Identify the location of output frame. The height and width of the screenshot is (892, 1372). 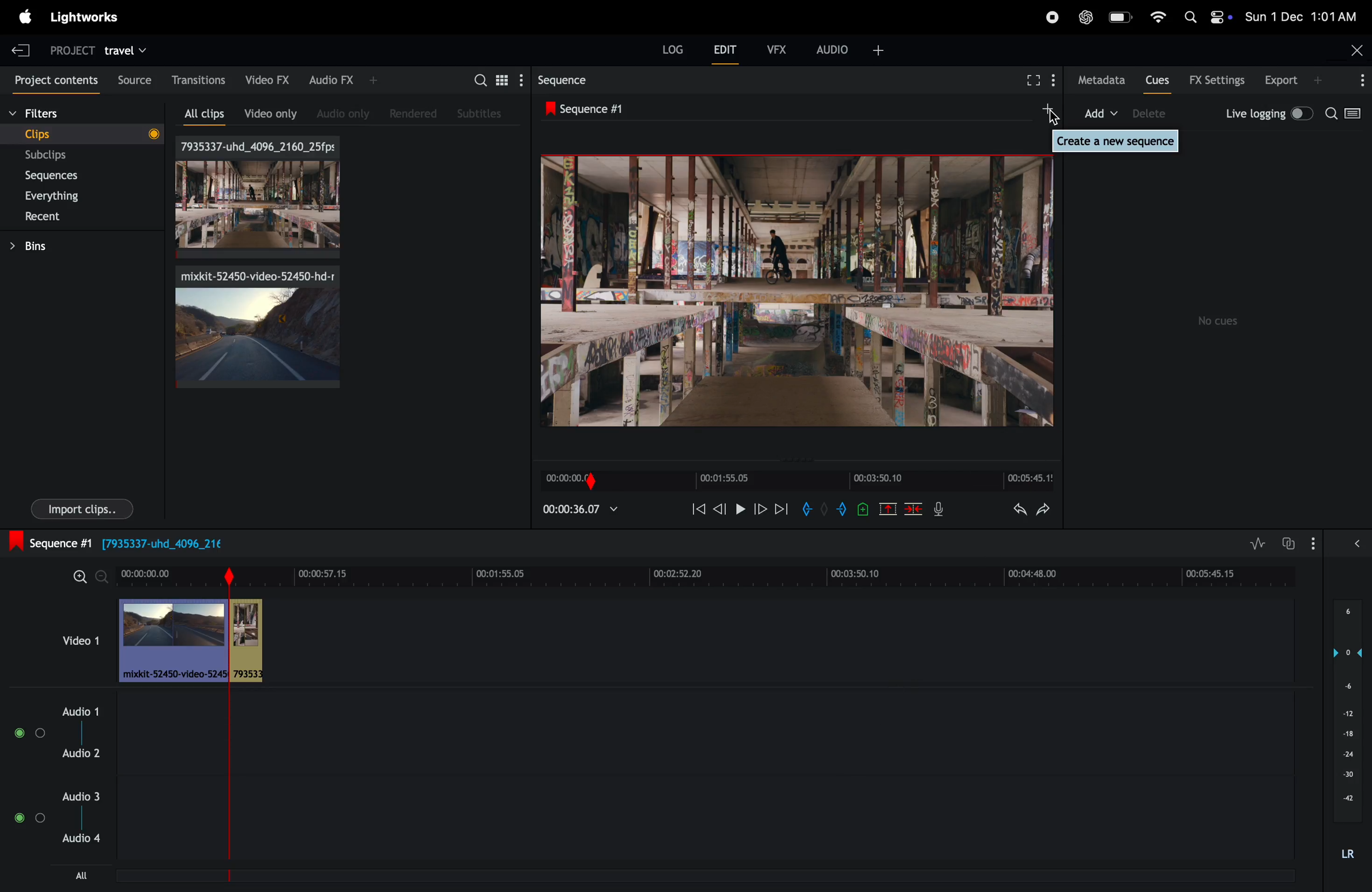
(798, 293).